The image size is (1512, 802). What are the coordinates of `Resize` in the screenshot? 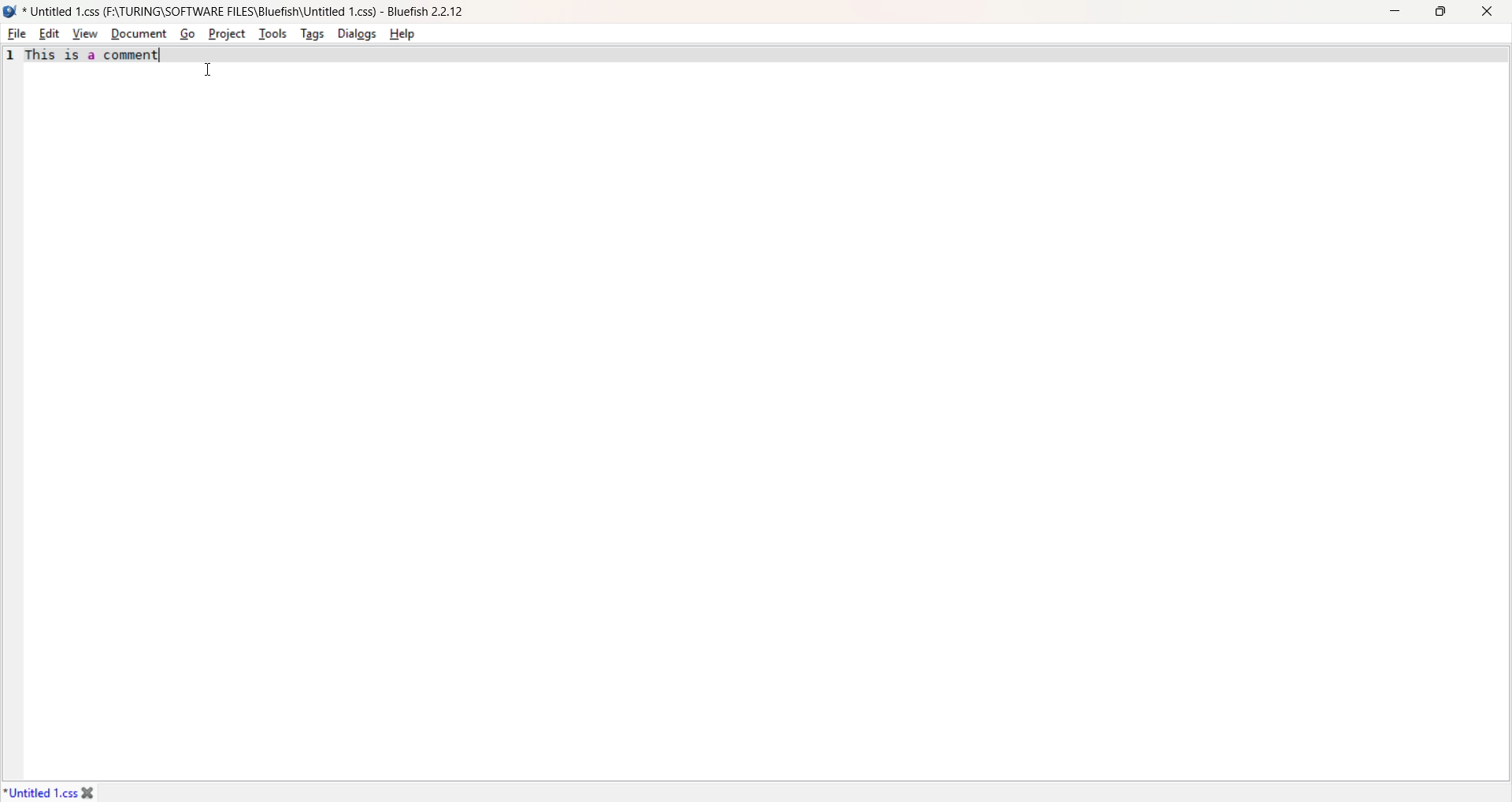 It's located at (1443, 14).